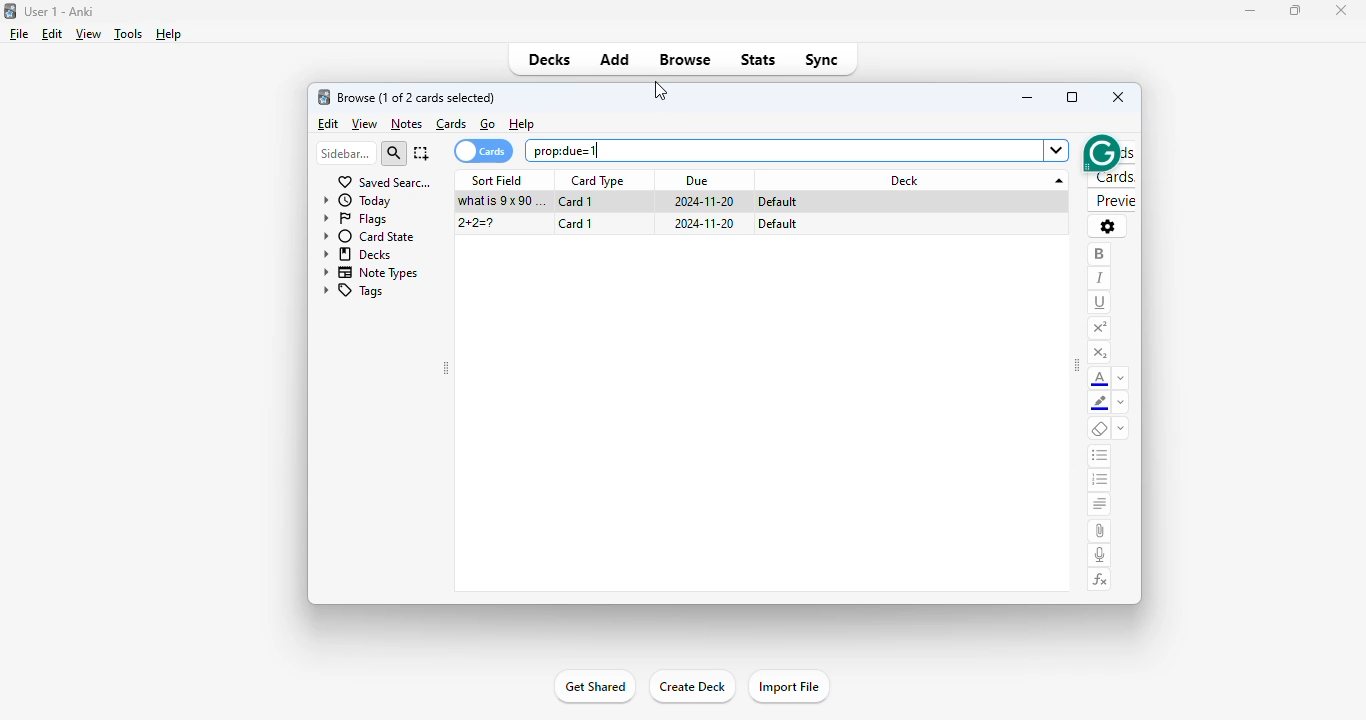  Describe the element at coordinates (346, 154) in the screenshot. I see `sidebar filter` at that location.